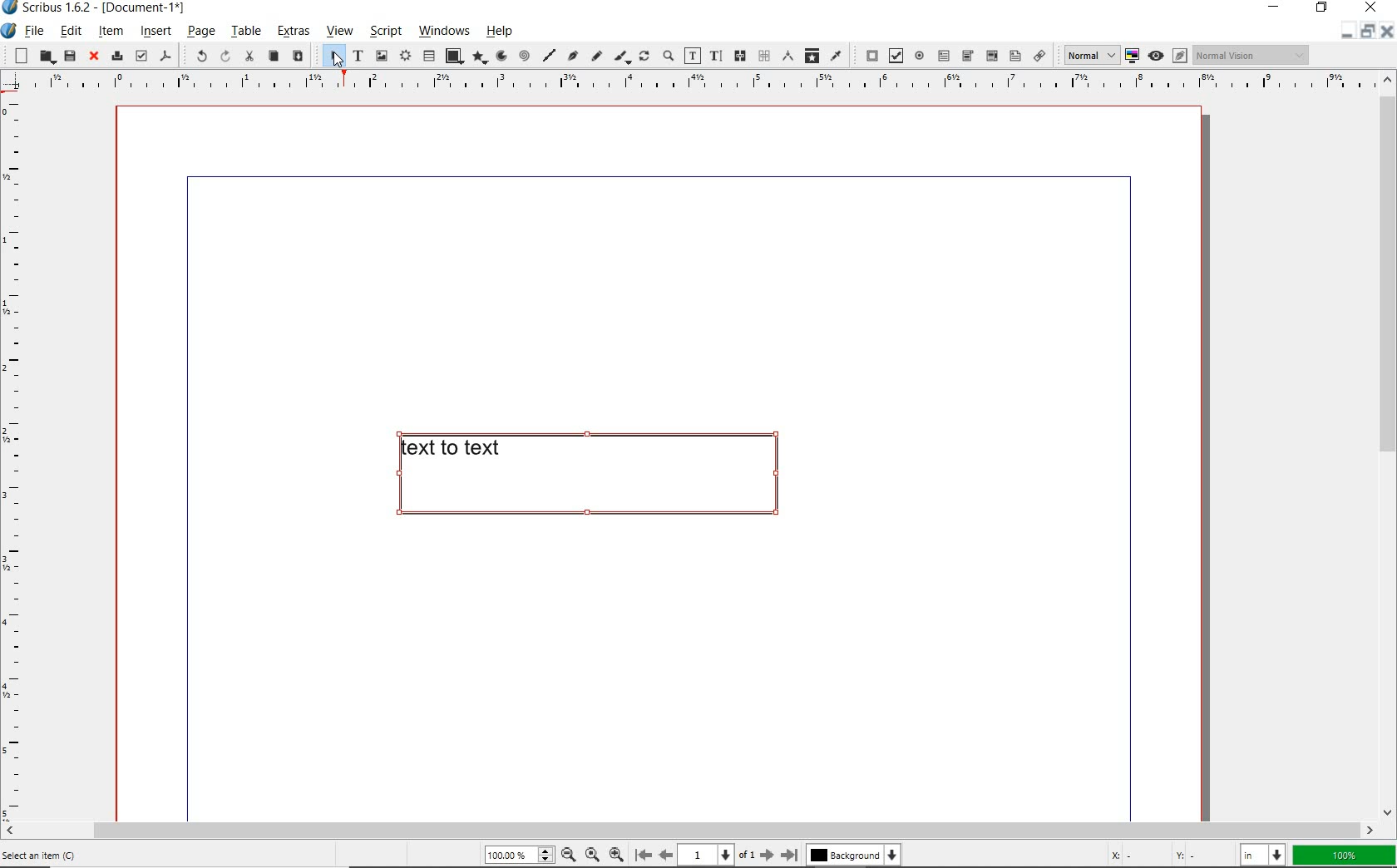  Describe the element at coordinates (453, 57) in the screenshot. I see `shape` at that location.